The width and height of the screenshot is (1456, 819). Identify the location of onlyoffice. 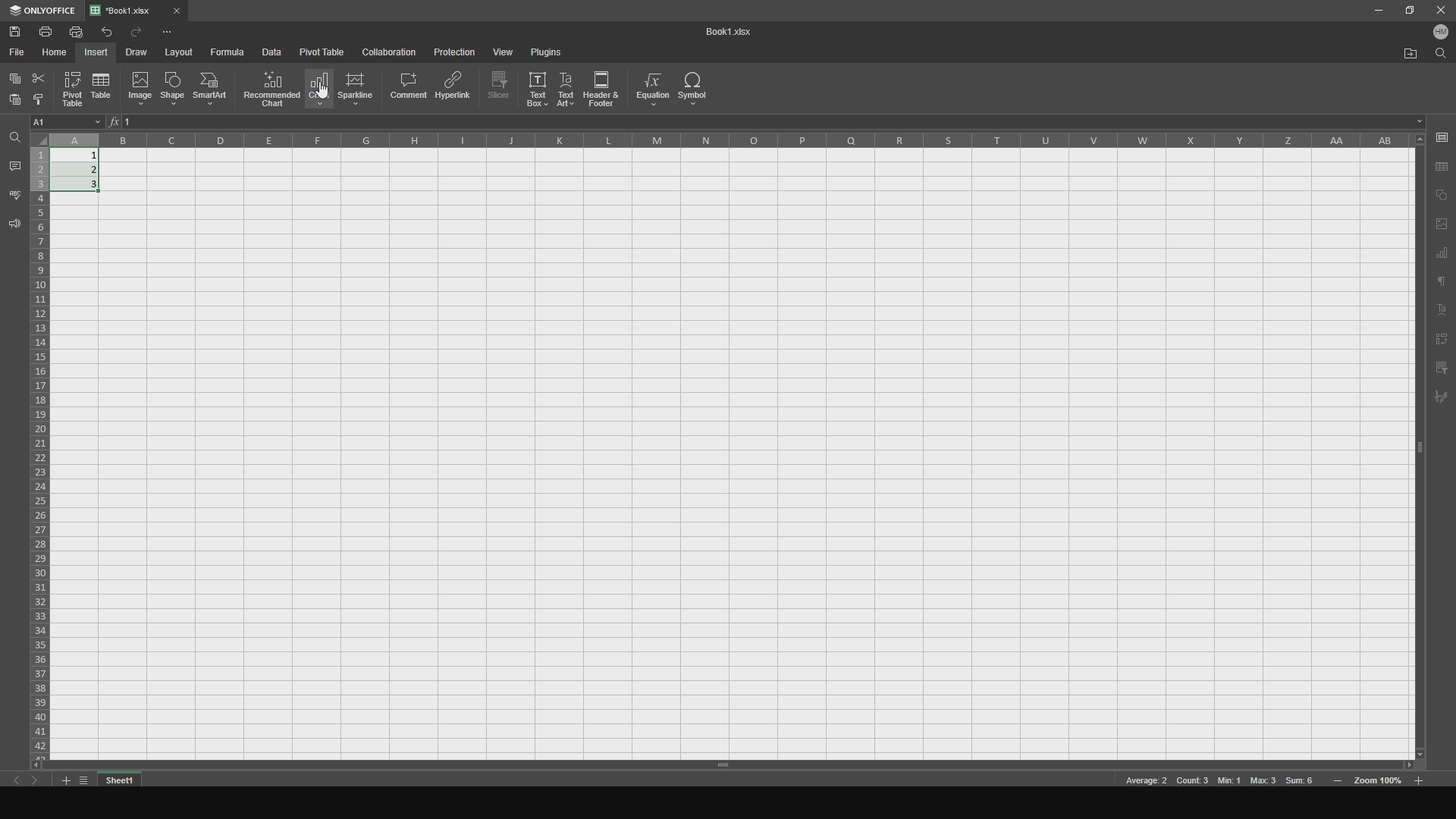
(40, 9).